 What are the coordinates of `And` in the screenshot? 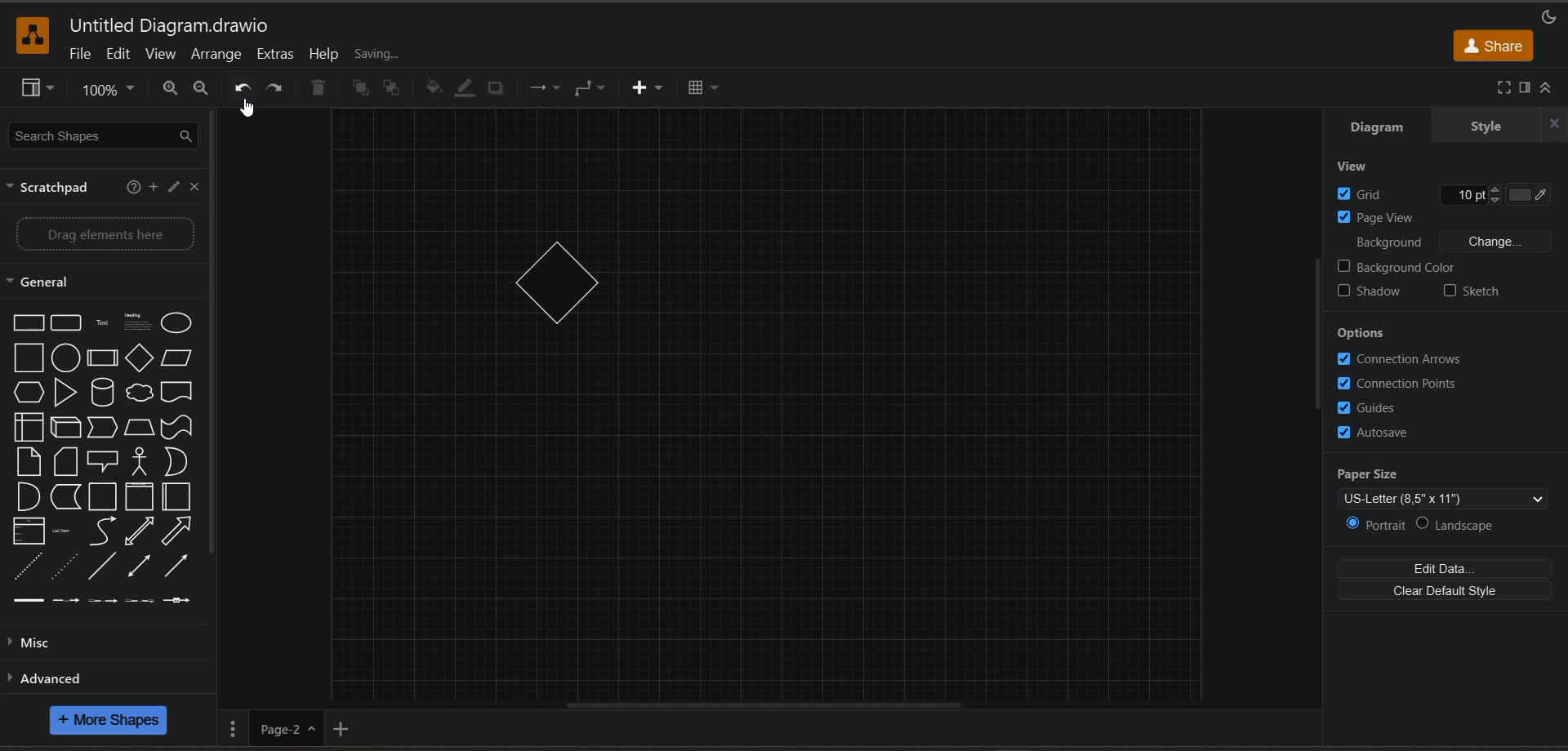 It's located at (26, 495).